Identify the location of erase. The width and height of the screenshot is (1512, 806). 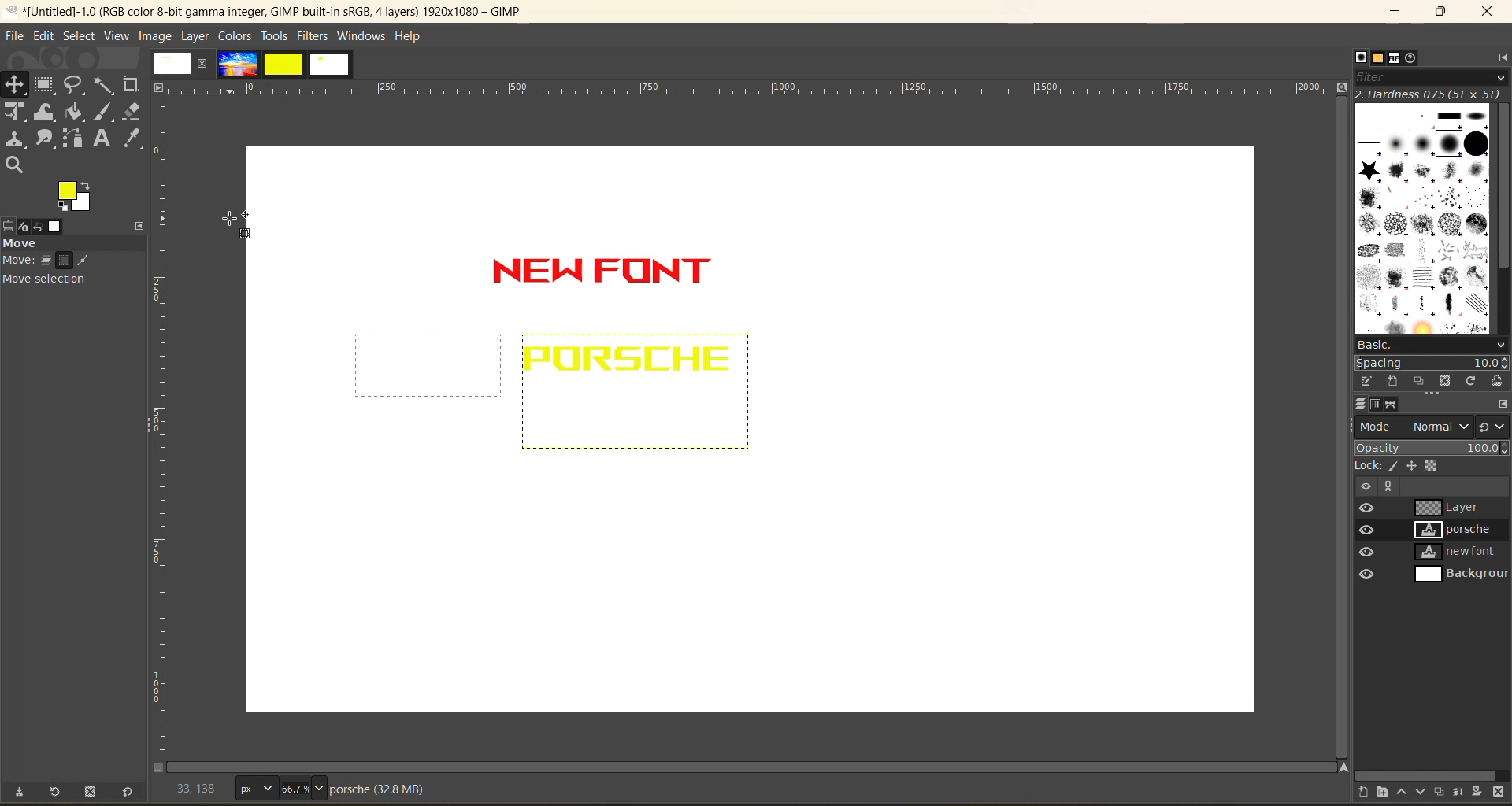
(132, 110).